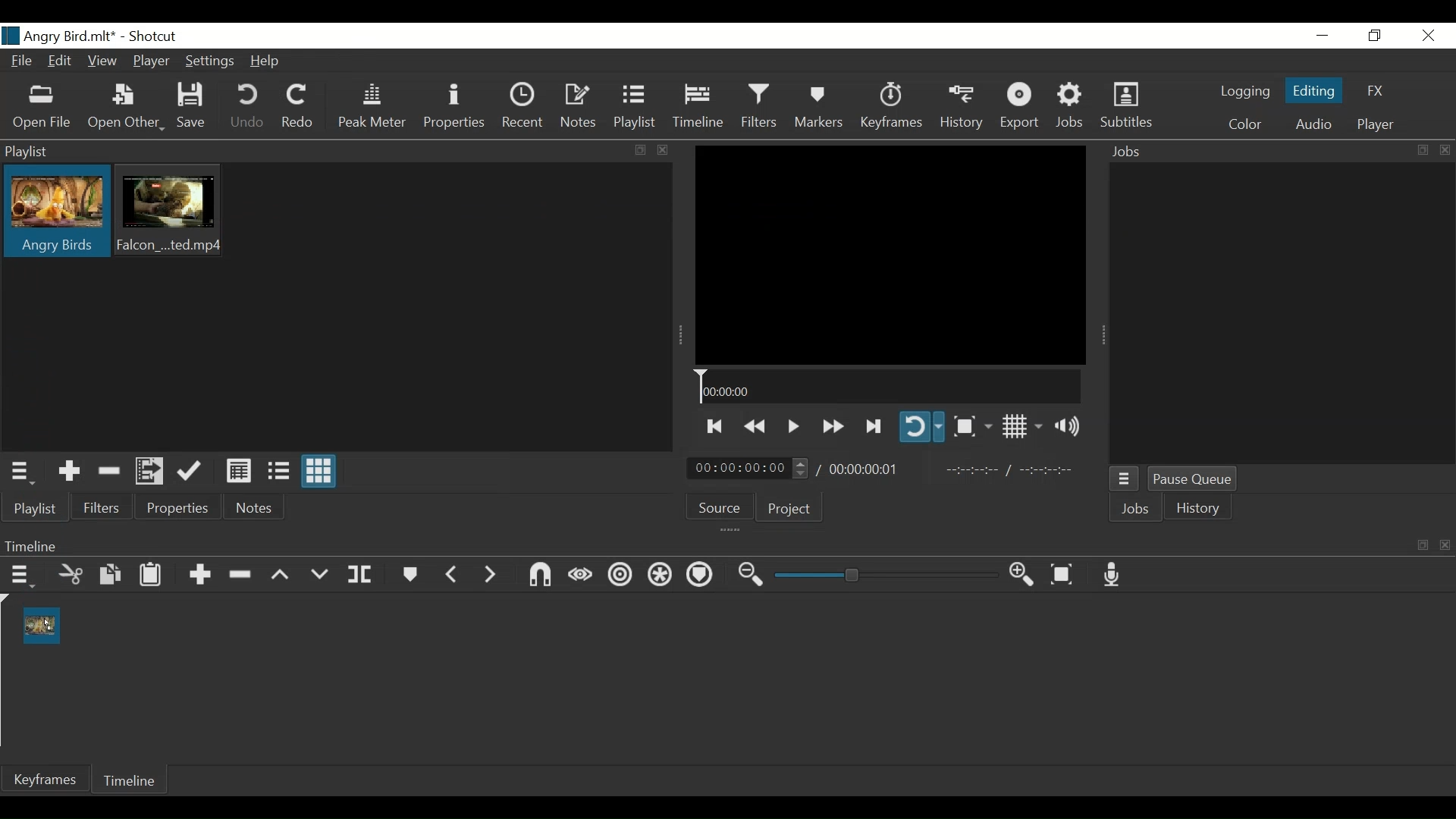 The image size is (1456, 819). I want to click on History, so click(1202, 510).